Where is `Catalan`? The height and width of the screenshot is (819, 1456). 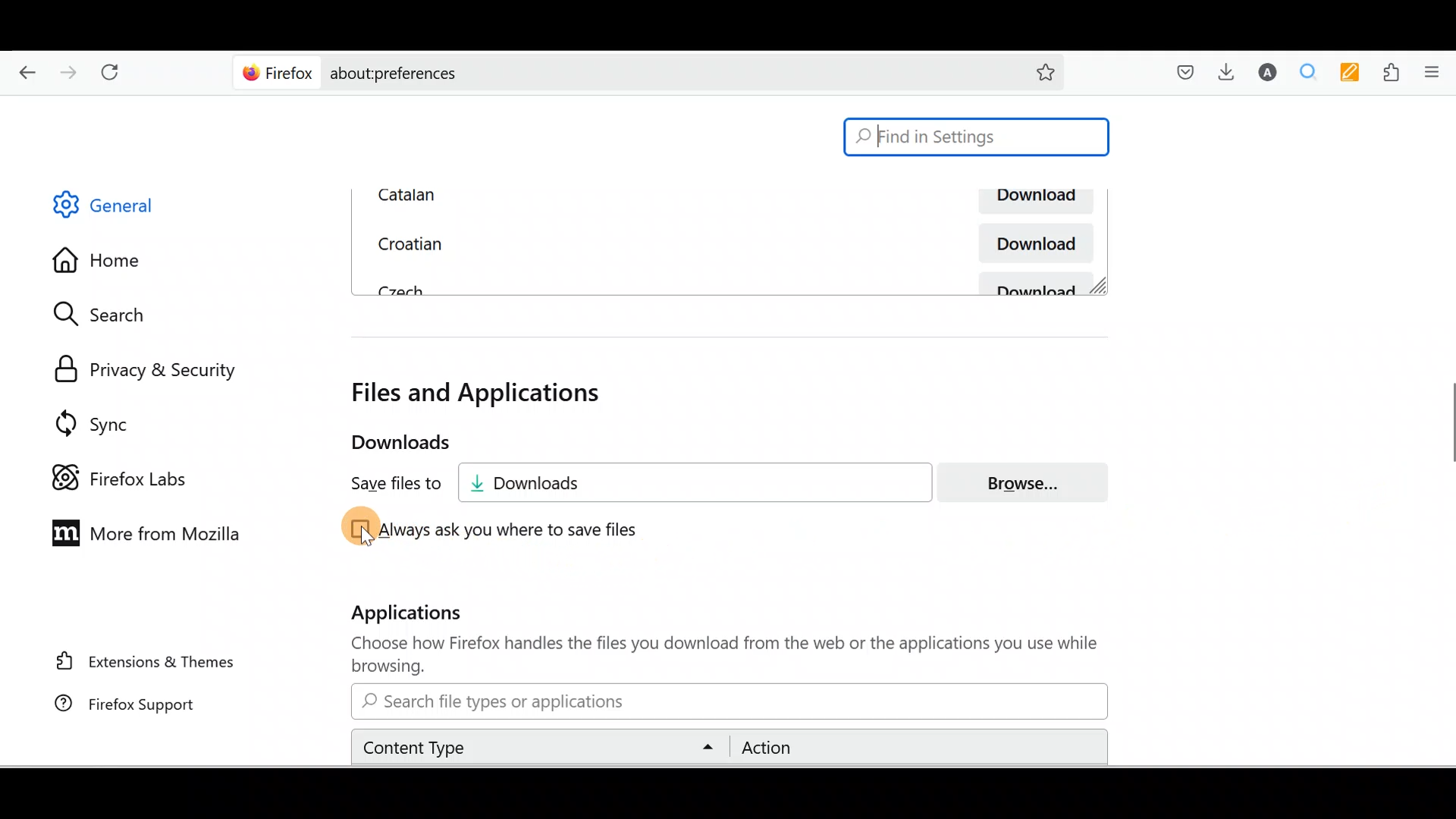
Catalan is located at coordinates (535, 195).